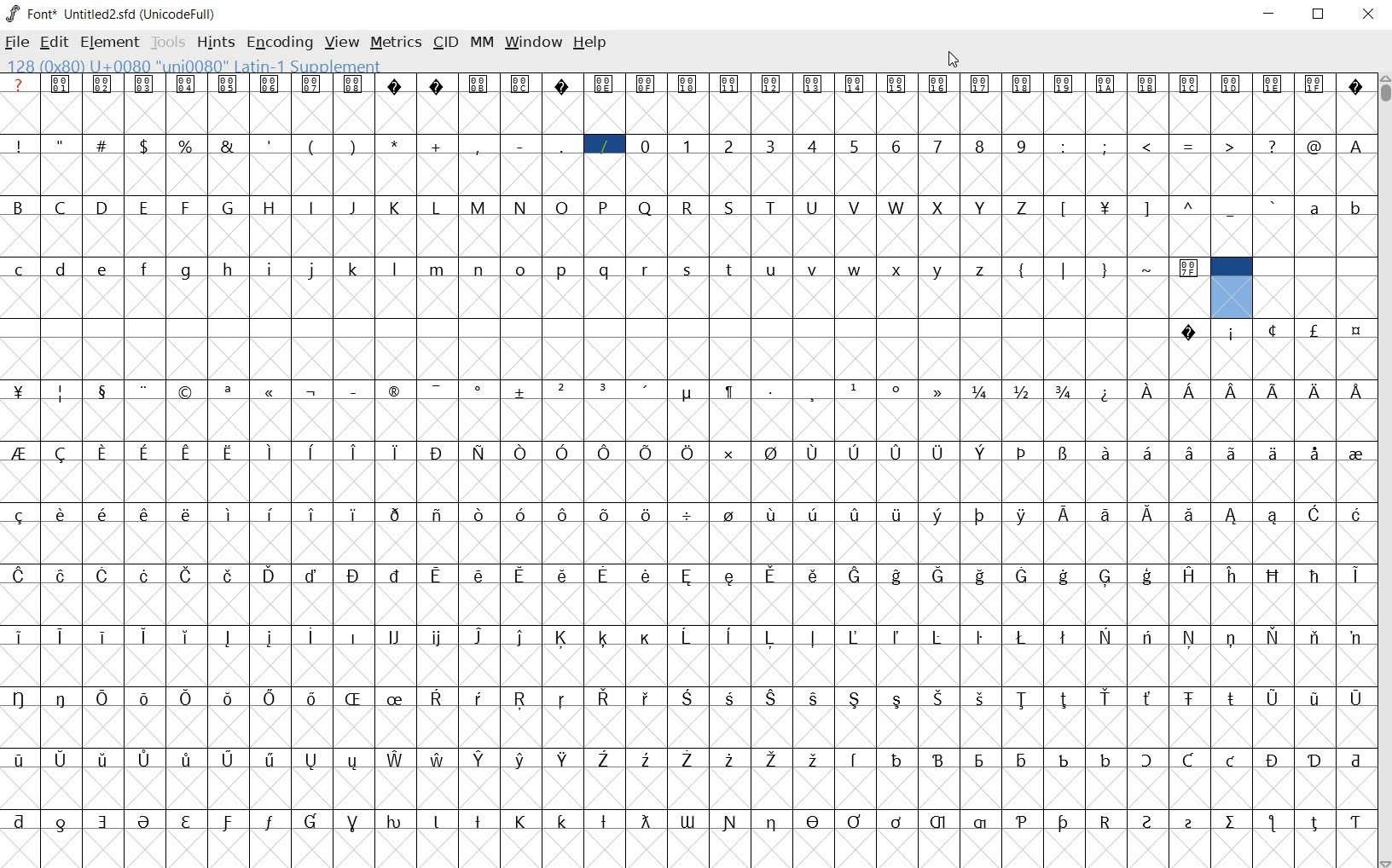  I want to click on Symbol, so click(20, 574).